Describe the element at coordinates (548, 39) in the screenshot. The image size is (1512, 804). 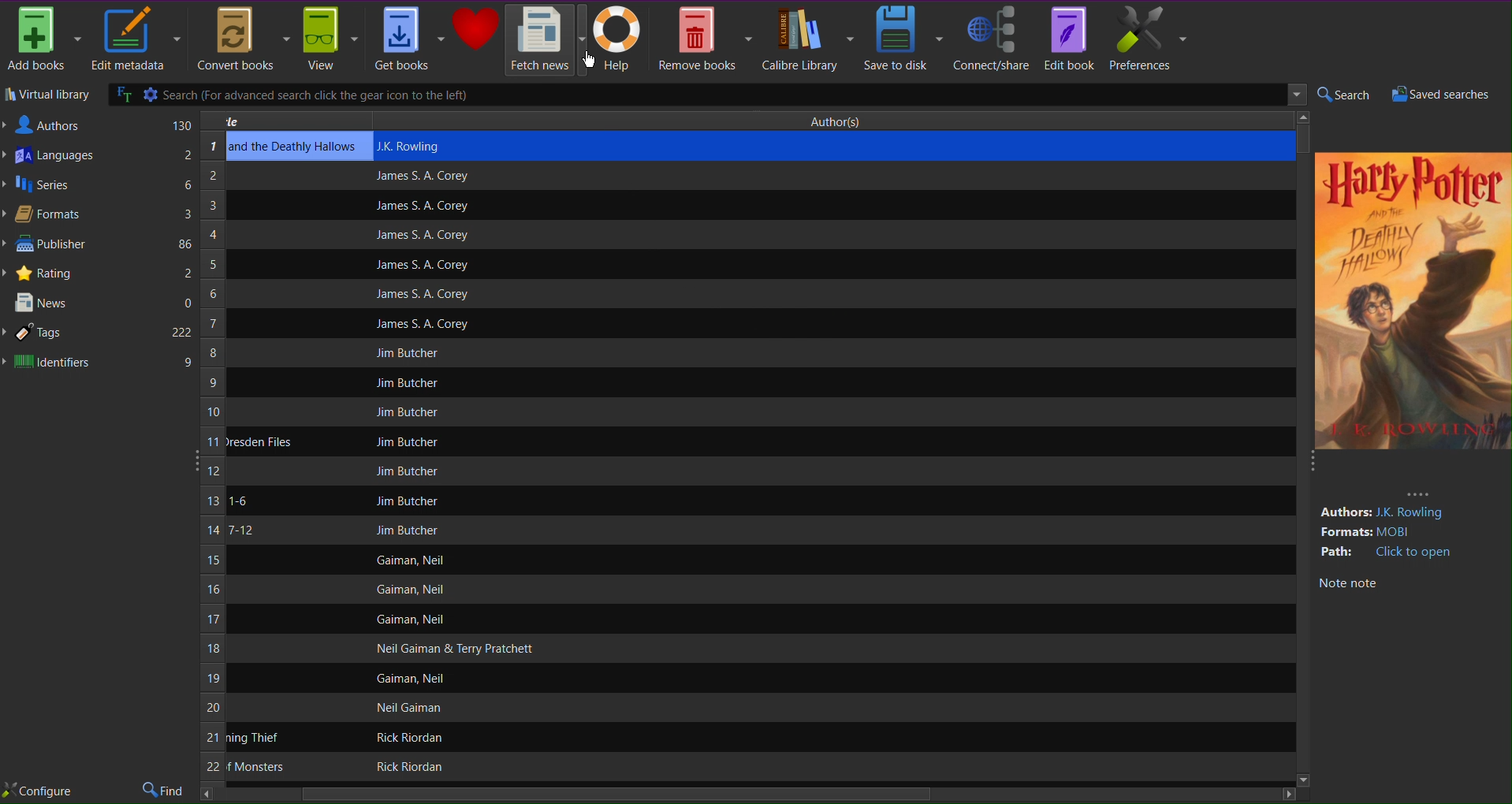
I see `Fetch News` at that location.